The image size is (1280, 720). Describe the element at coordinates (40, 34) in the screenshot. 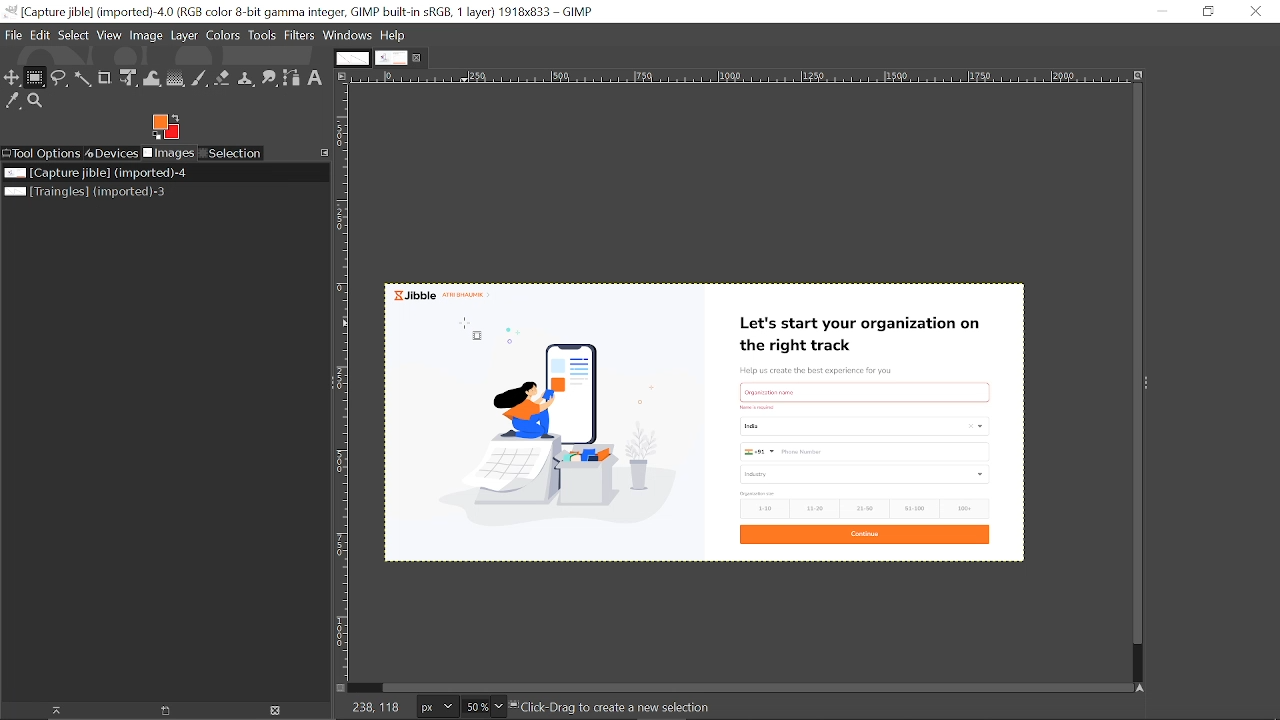

I see `Edit` at that location.